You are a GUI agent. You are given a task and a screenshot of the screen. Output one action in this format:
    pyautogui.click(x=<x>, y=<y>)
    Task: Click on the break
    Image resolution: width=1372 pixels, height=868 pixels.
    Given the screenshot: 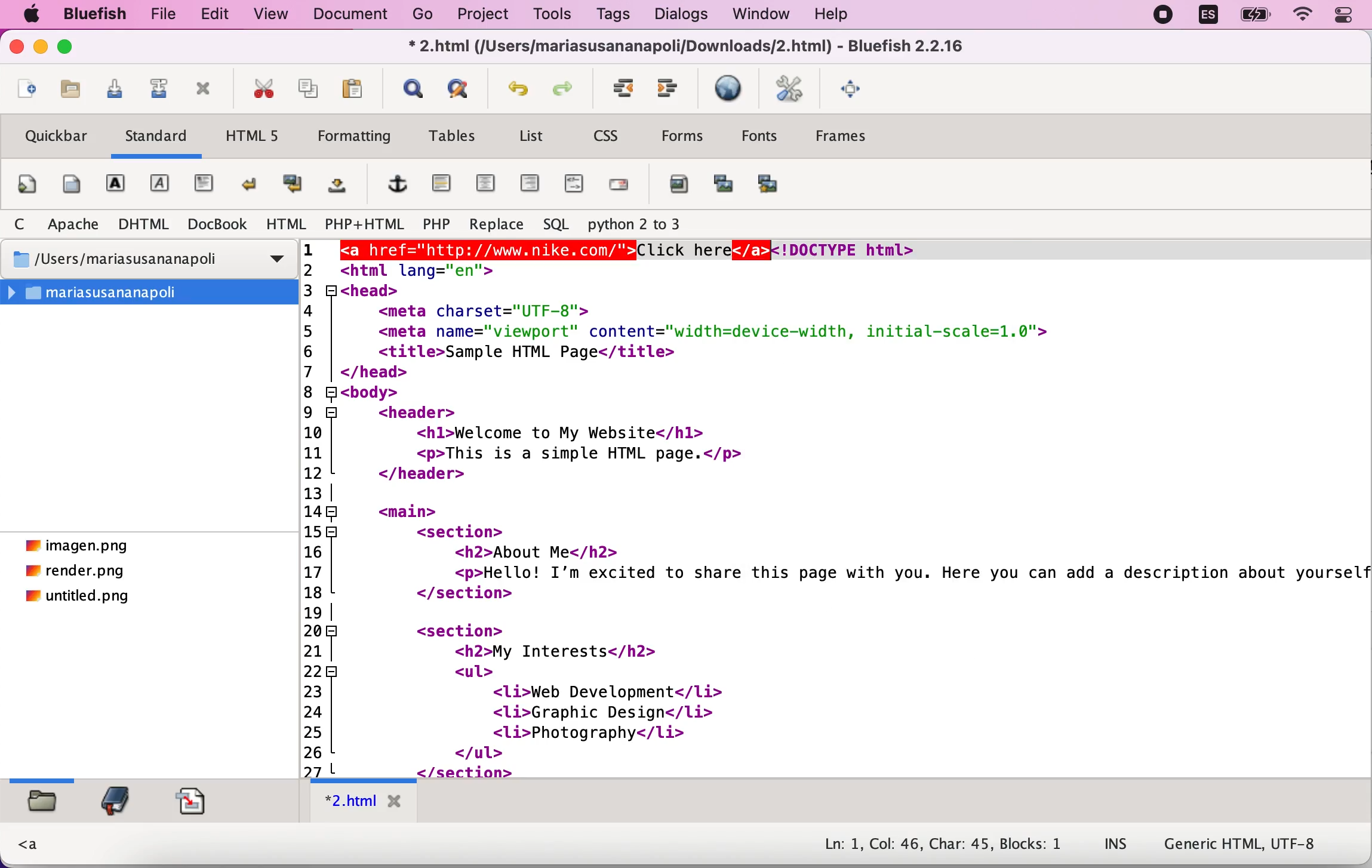 What is the action you would take?
    pyautogui.click(x=253, y=184)
    